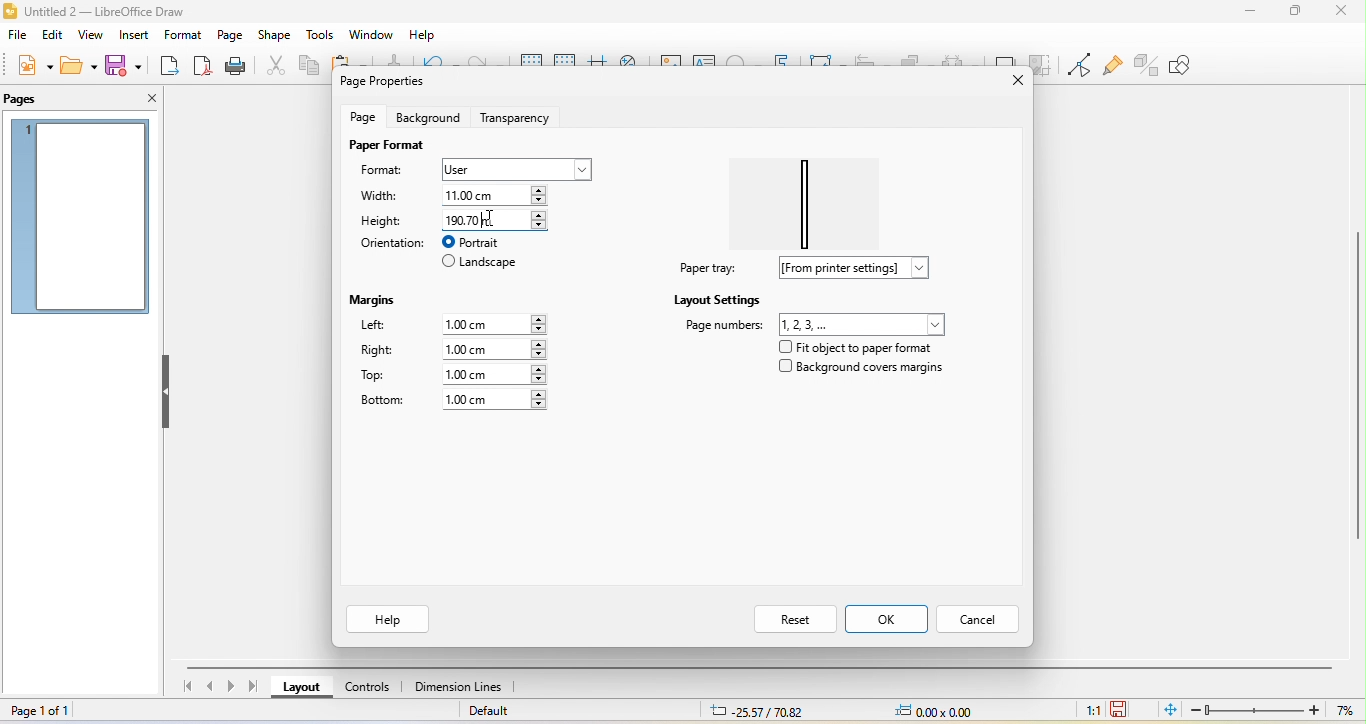 This screenshot has height=724, width=1366. What do you see at coordinates (127, 64) in the screenshot?
I see `save` at bounding box center [127, 64].